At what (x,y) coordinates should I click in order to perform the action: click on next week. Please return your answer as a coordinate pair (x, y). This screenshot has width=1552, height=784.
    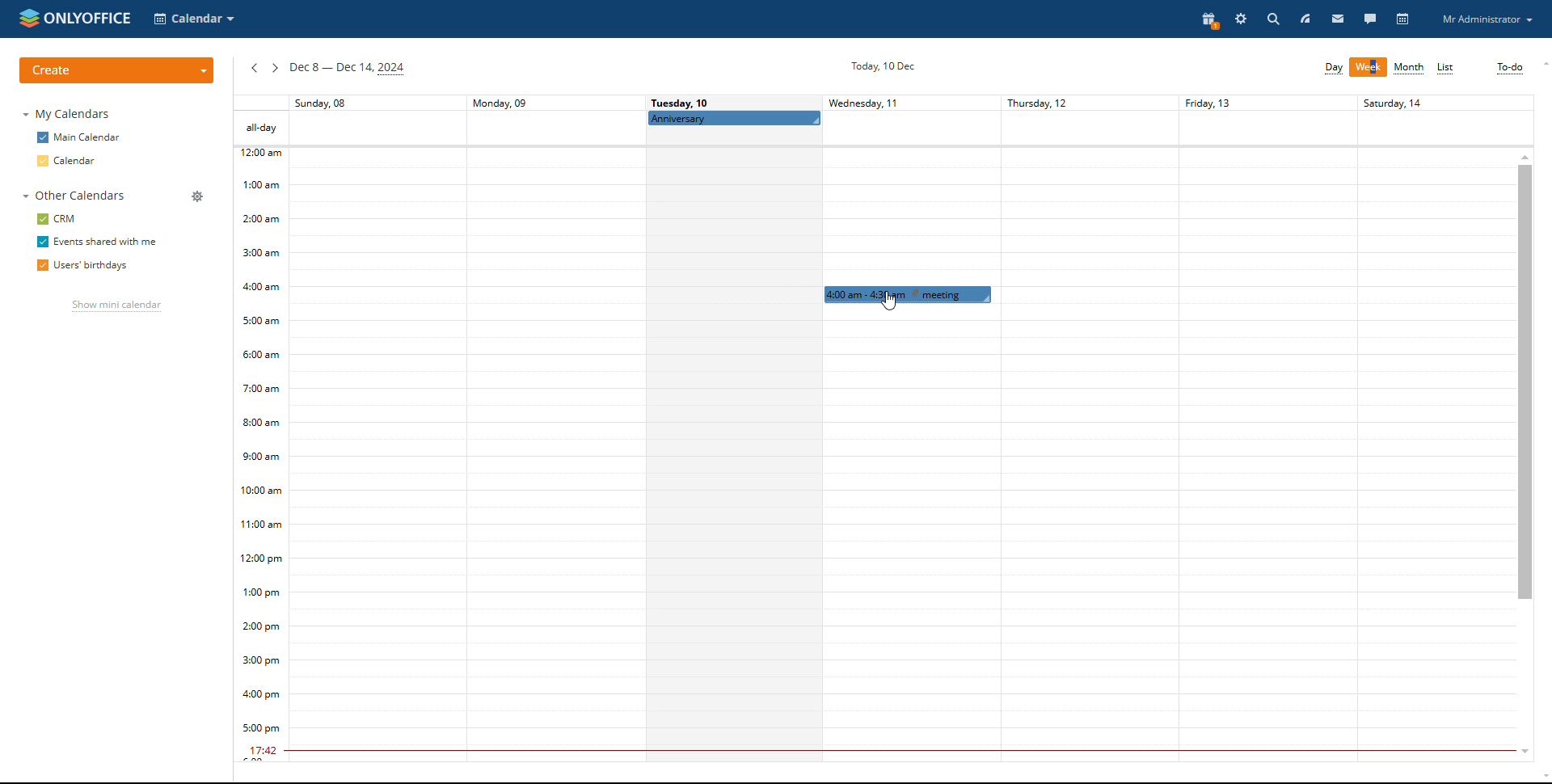
    Looking at the image, I should click on (275, 69).